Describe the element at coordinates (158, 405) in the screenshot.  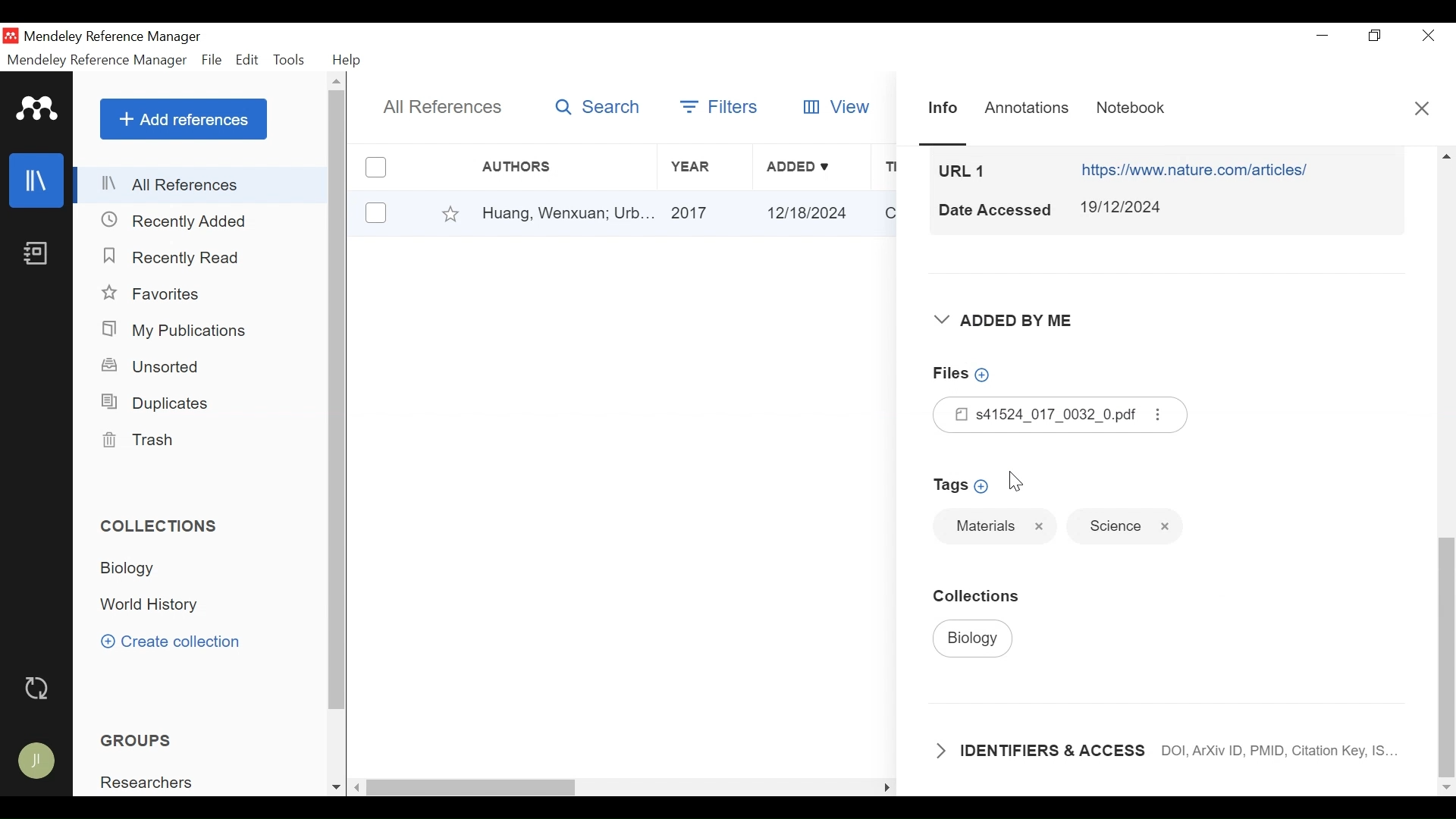
I see `Duplicates` at that location.